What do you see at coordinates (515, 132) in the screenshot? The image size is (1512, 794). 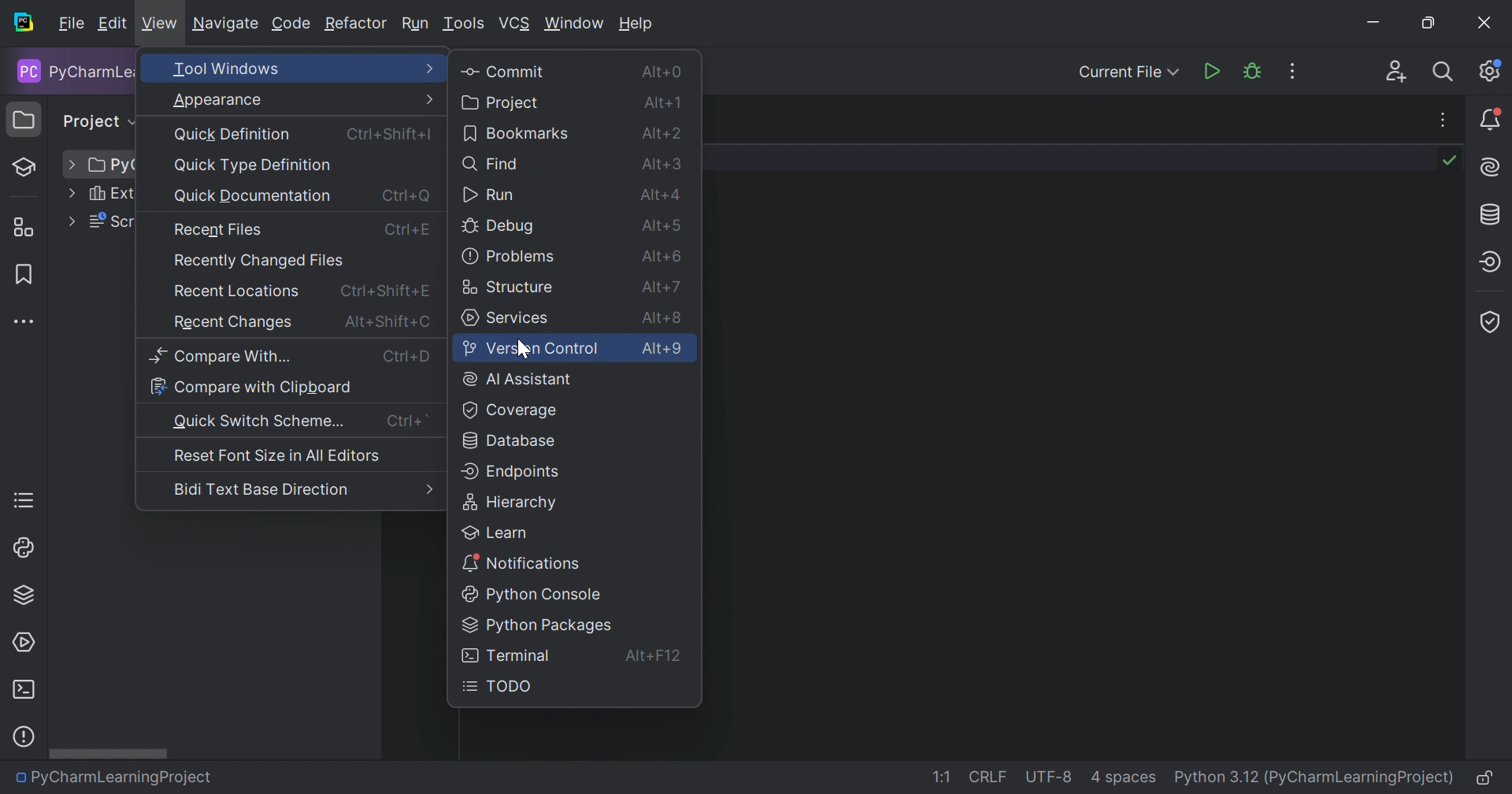 I see `Bookmarks` at bounding box center [515, 132].